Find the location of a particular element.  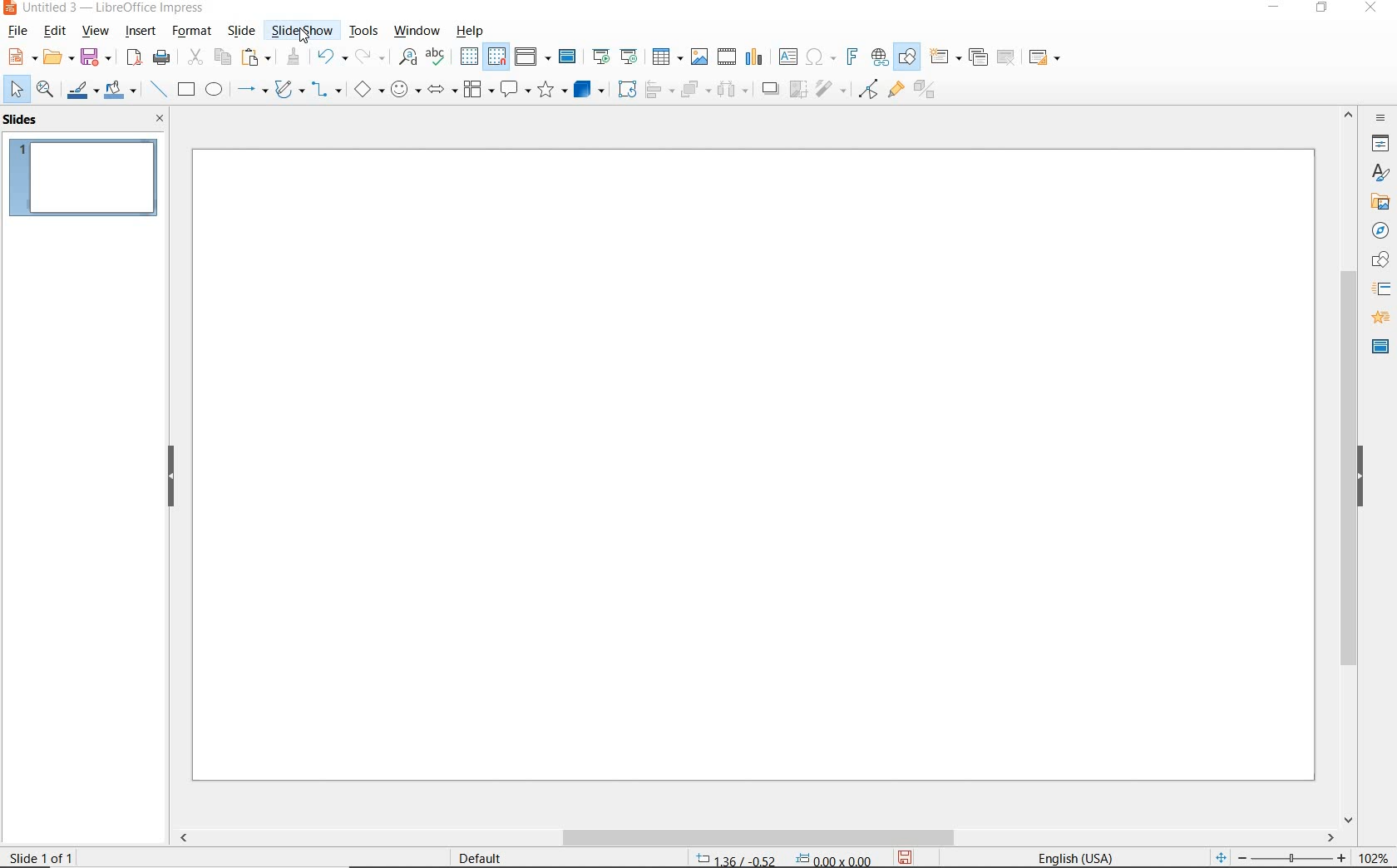

SYMBOL SHAPES is located at coordinates (404, 89).